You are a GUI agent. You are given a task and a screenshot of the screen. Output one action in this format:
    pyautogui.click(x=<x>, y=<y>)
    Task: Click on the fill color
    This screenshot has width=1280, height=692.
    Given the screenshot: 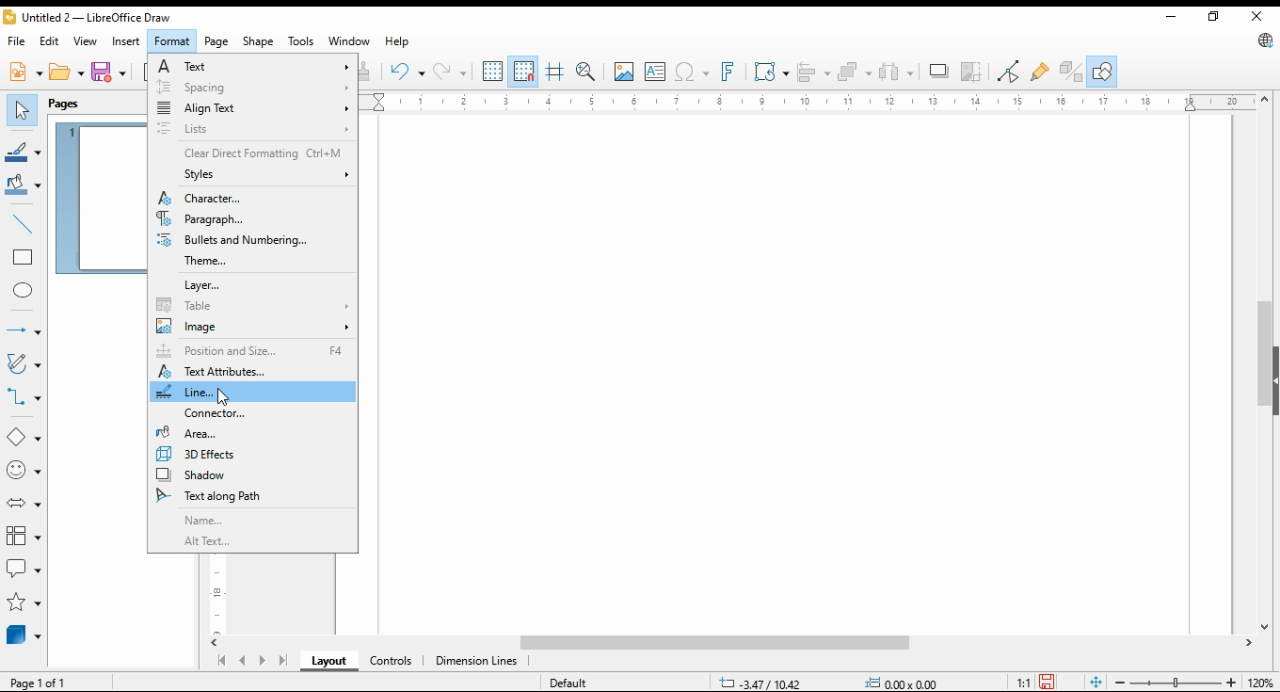 What is the action you would take?
    pyautogui.click(x=23, y=183)
    